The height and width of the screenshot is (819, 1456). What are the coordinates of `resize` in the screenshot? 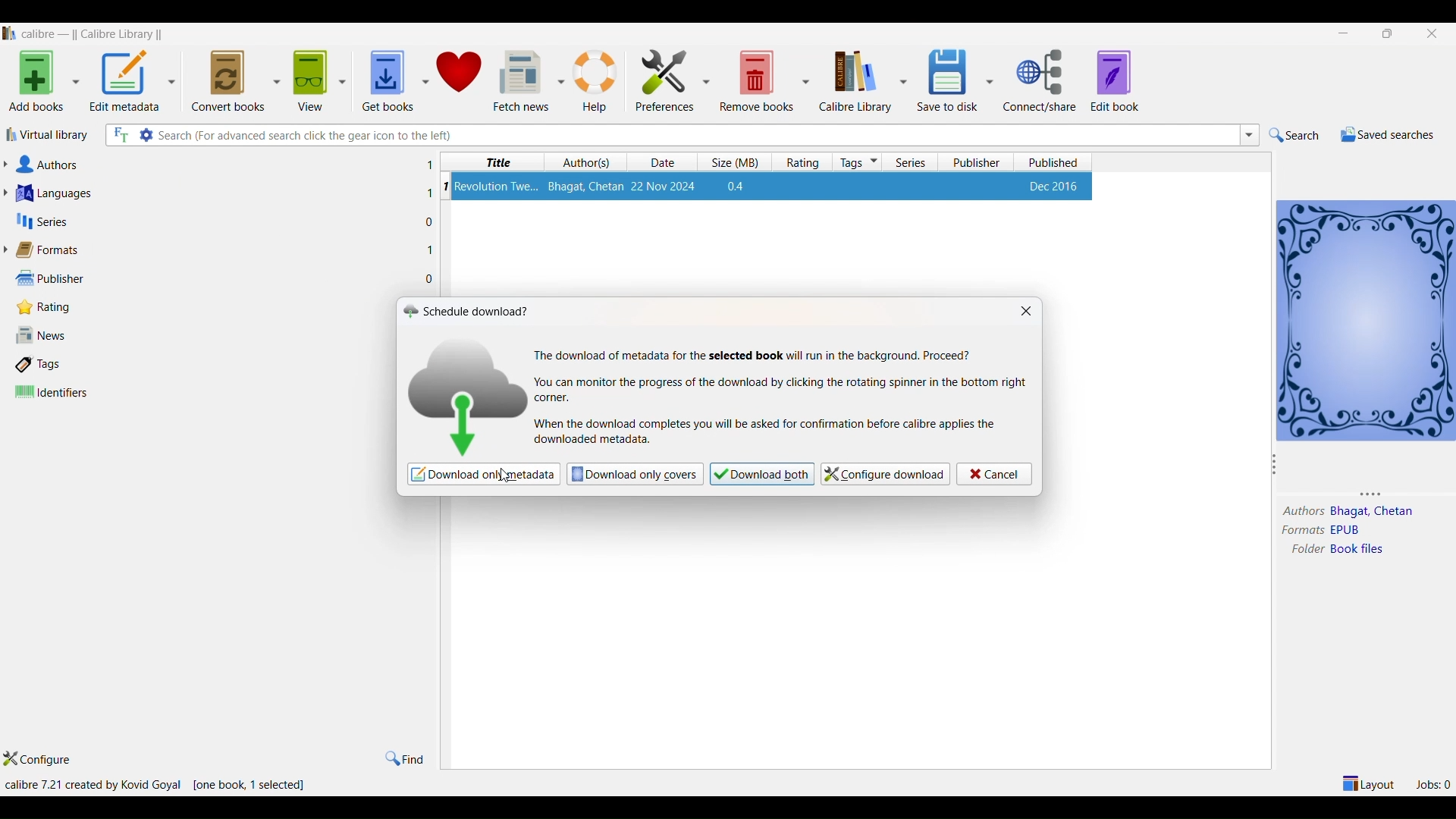 It's located at (1360, 495).